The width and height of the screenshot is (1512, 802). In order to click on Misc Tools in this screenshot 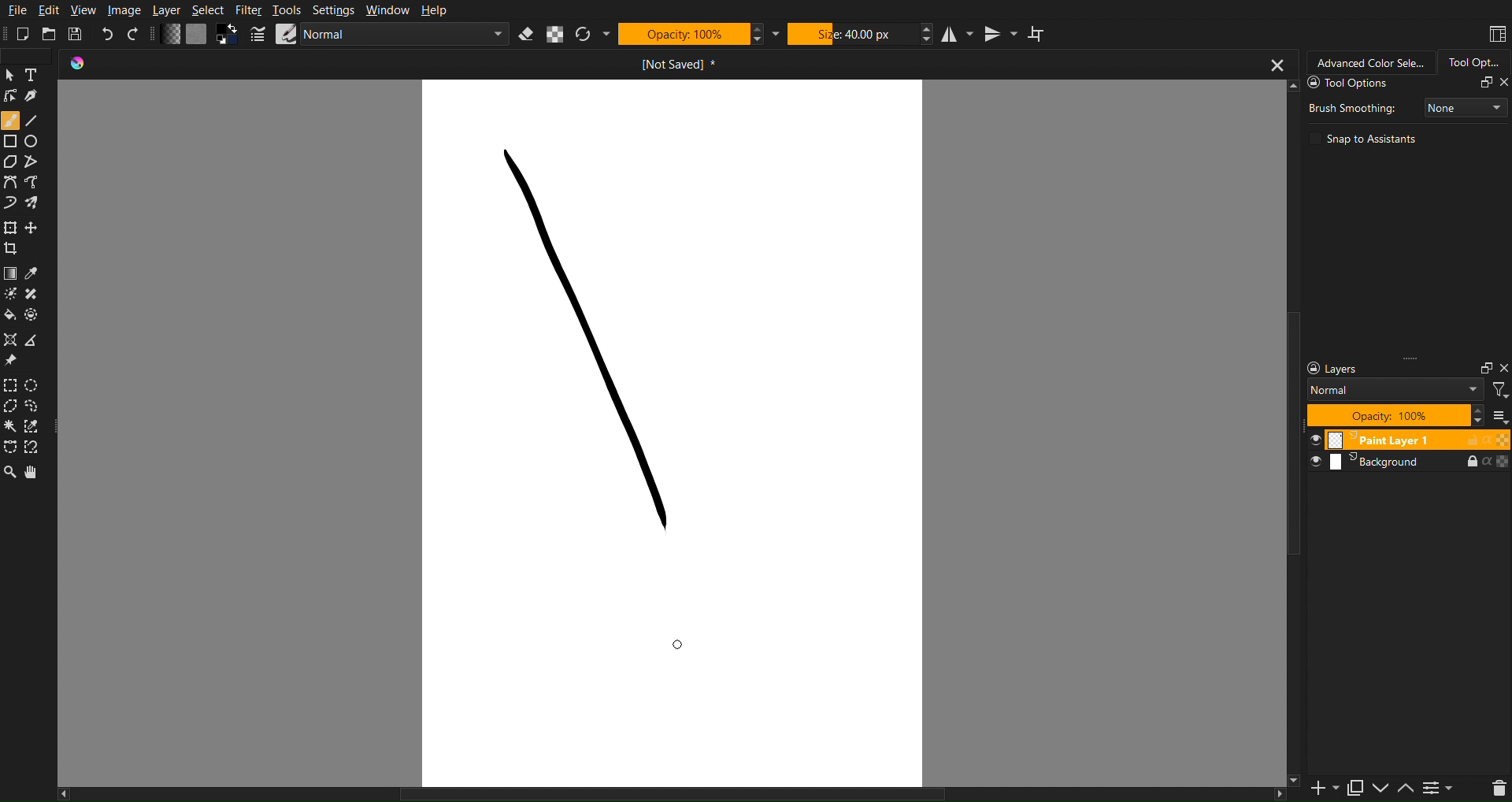, I will do `click(13, 337)`.